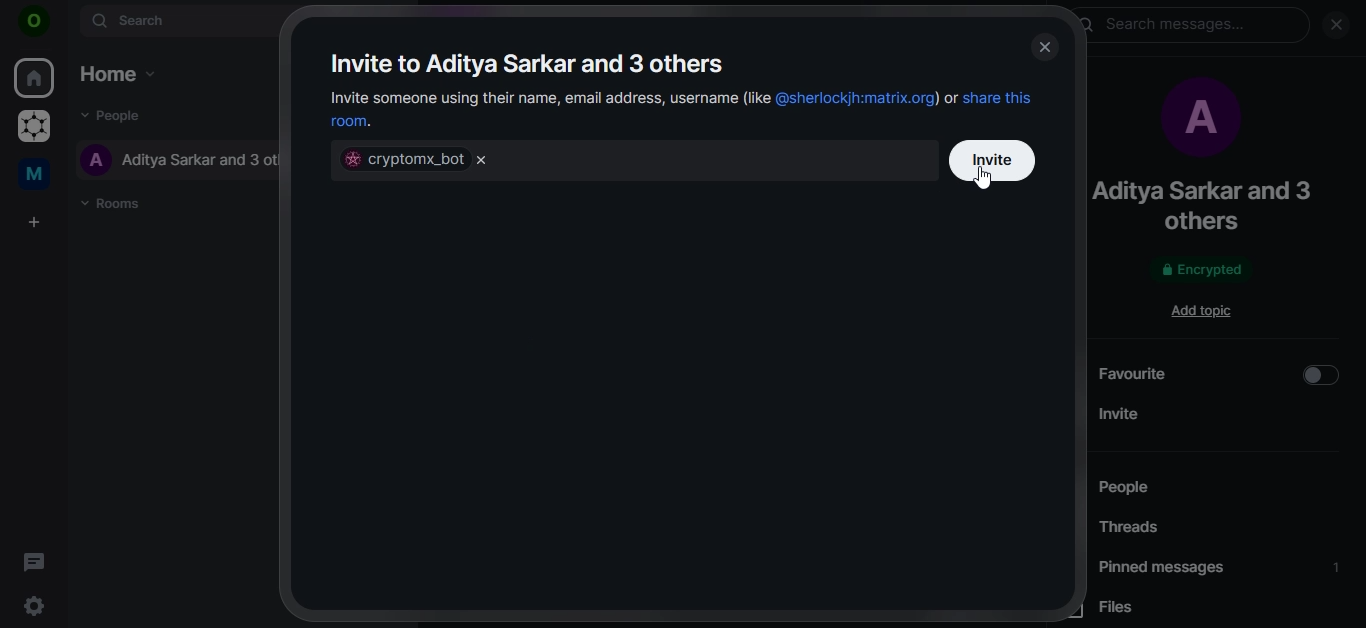 This screenshot has width=1366, height=628. Describe the element at coordinates (1044, 48) in the screenshot. I see `close` at that location.